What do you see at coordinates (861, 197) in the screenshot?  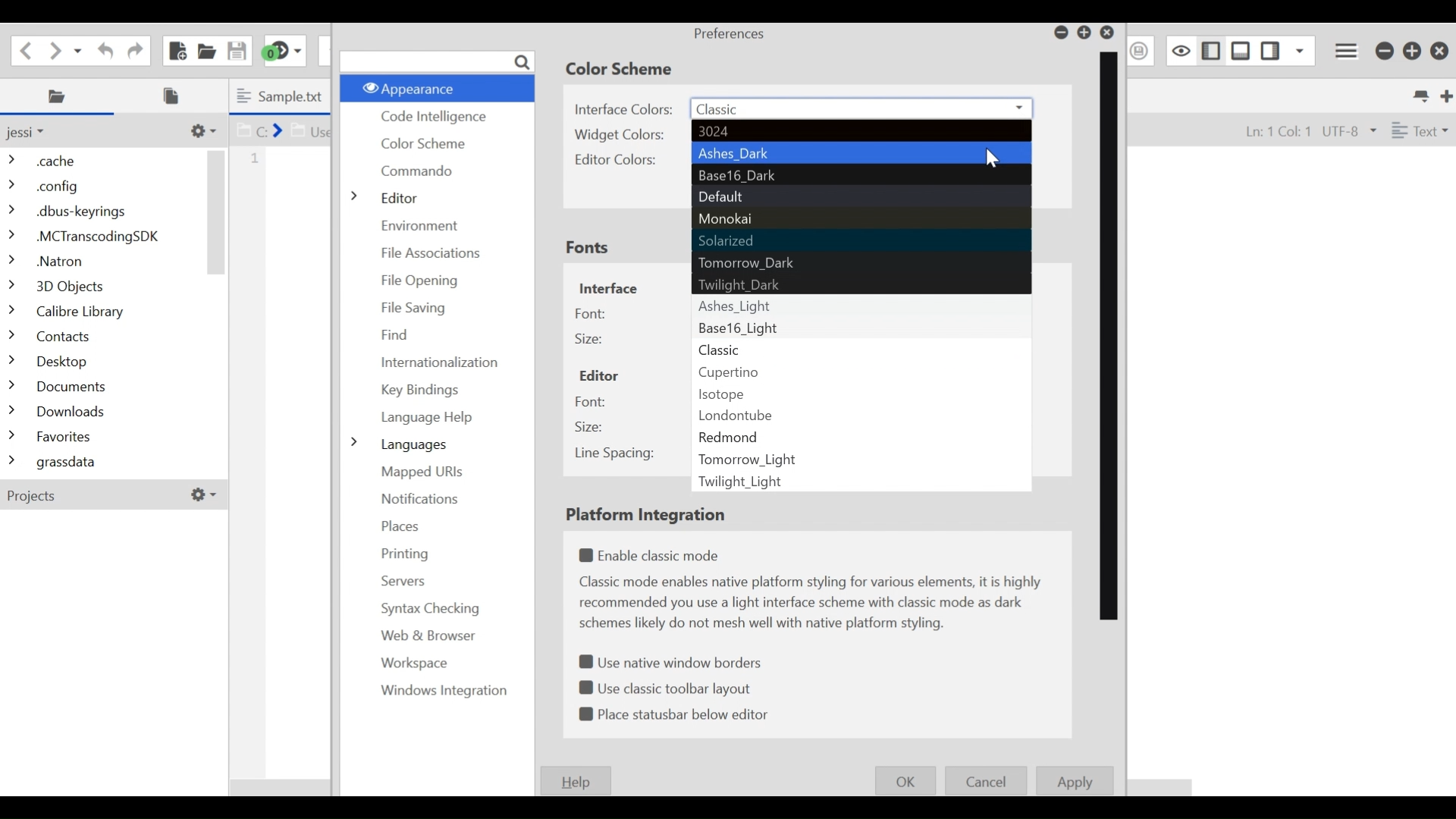 I see `Default` at bounding box center [861, 197].